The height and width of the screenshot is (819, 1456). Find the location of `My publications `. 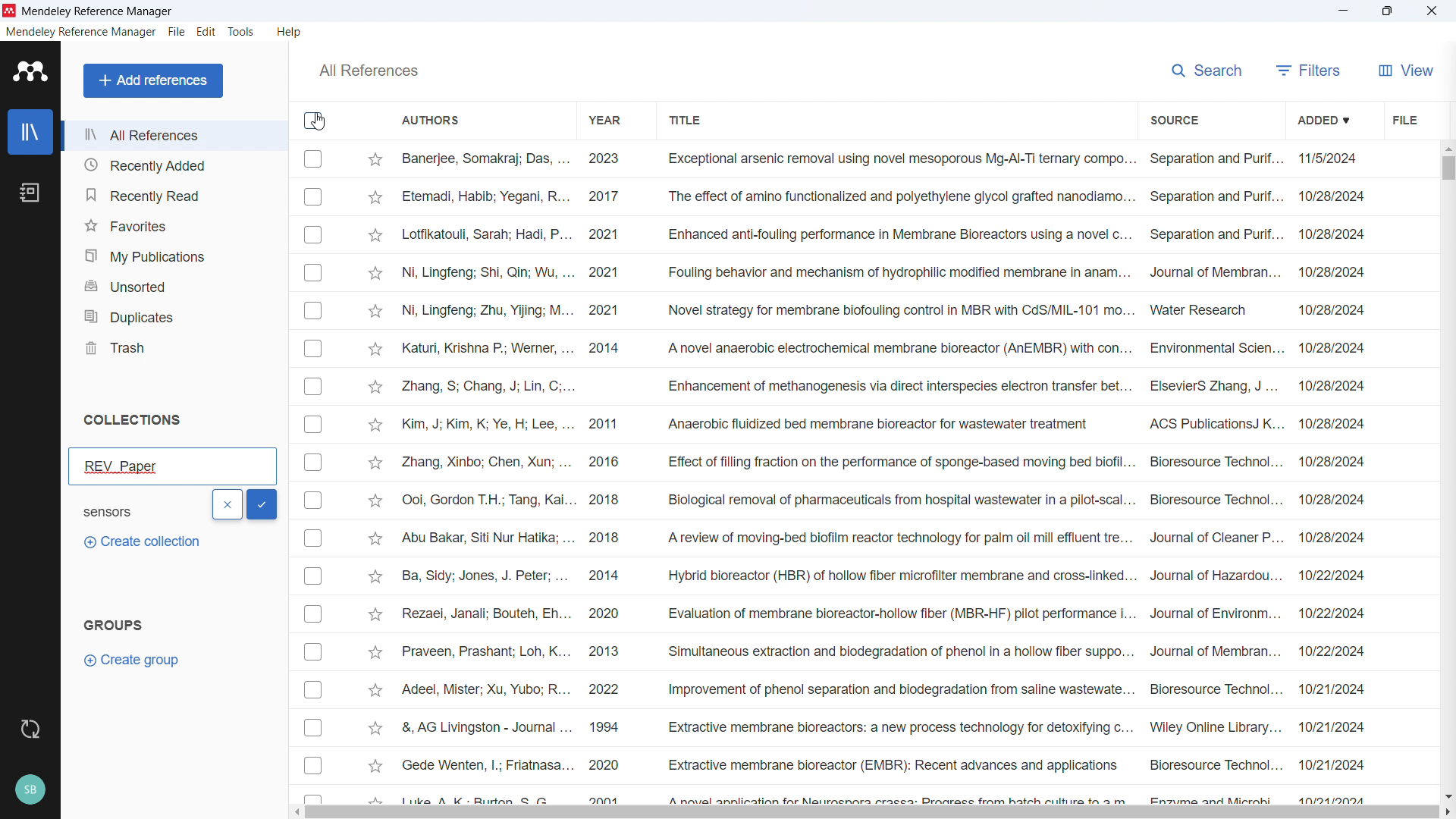

My publications  is located at coordinates (174, 254).